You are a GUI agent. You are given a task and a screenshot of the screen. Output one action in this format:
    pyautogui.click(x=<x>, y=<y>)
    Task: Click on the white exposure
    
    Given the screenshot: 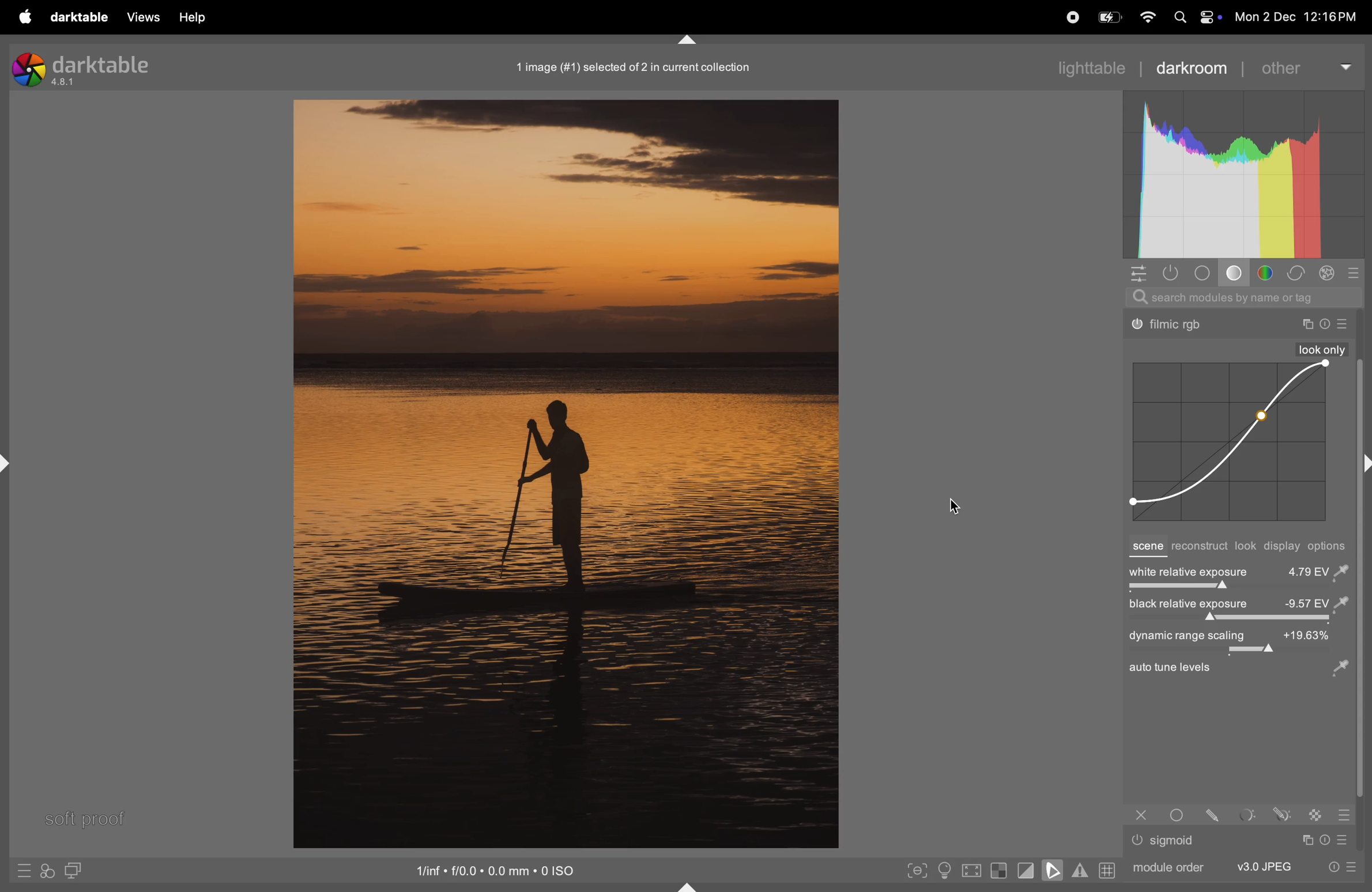 What is the action you would take?
    pyautogui.click(x=1238, y=570)
    